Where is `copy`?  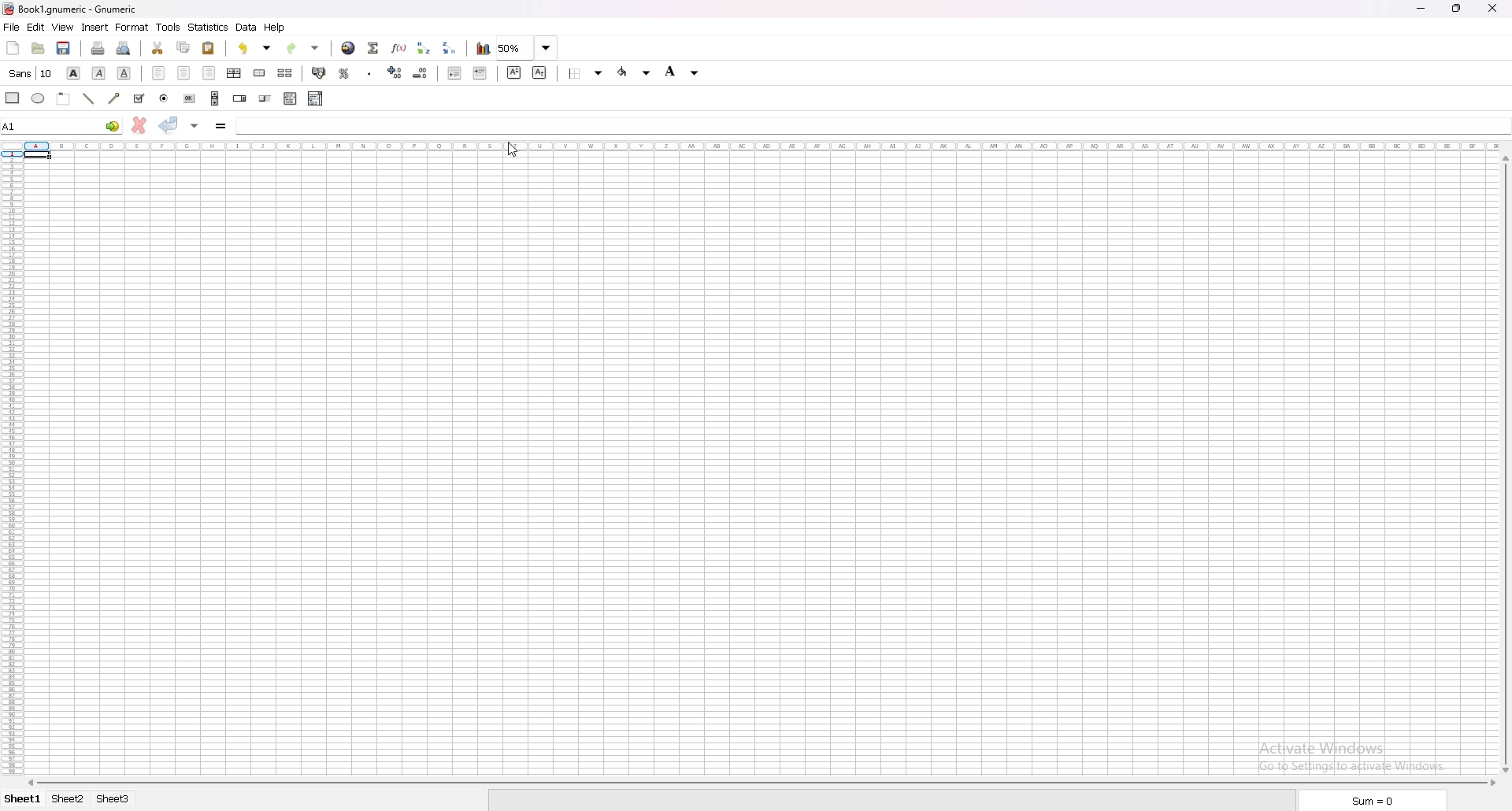
copy is located at coordinates (183, 47).